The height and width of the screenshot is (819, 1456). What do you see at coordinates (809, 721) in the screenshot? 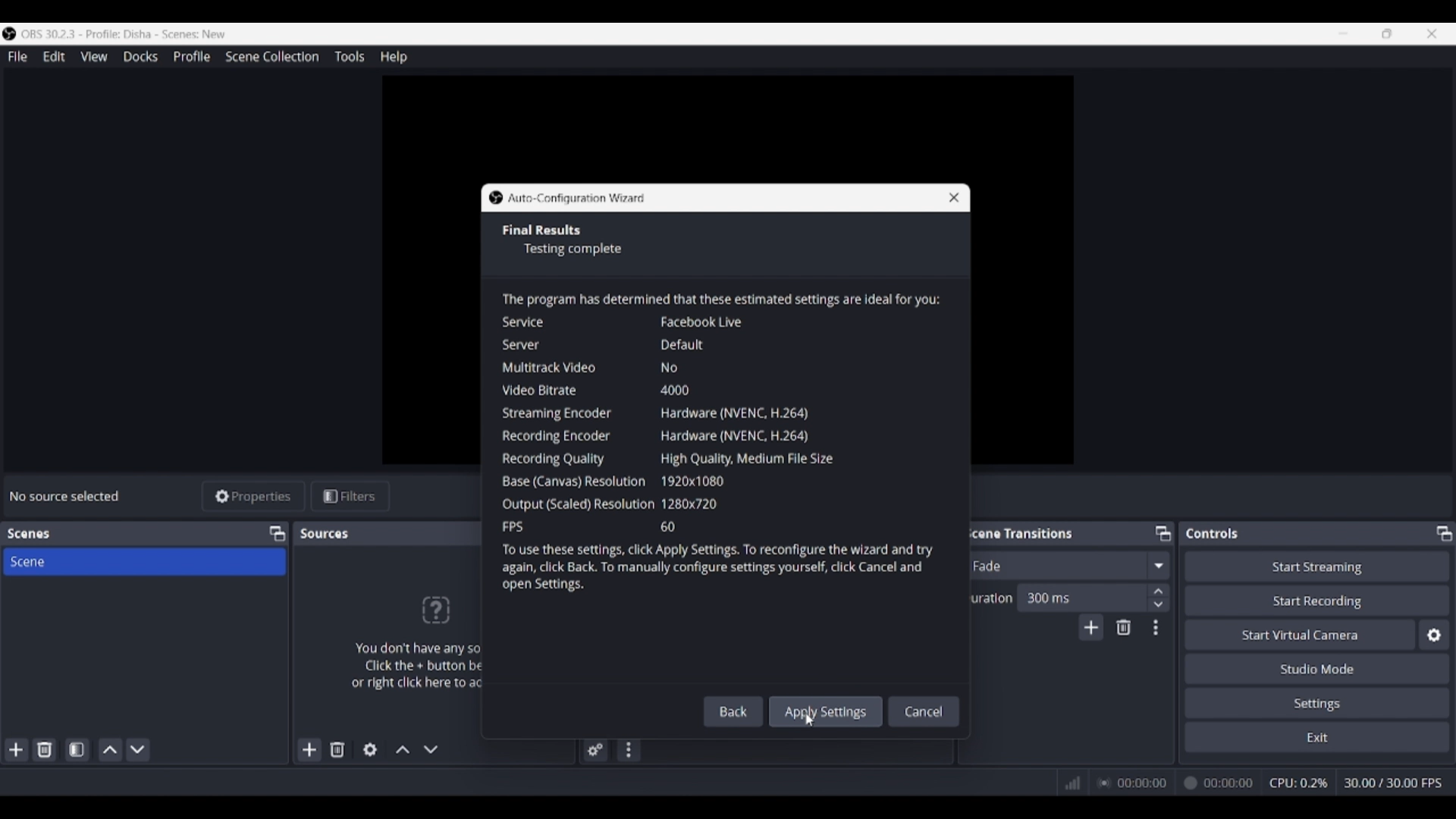
I see `Cursor` at bounding box center [809, 721].